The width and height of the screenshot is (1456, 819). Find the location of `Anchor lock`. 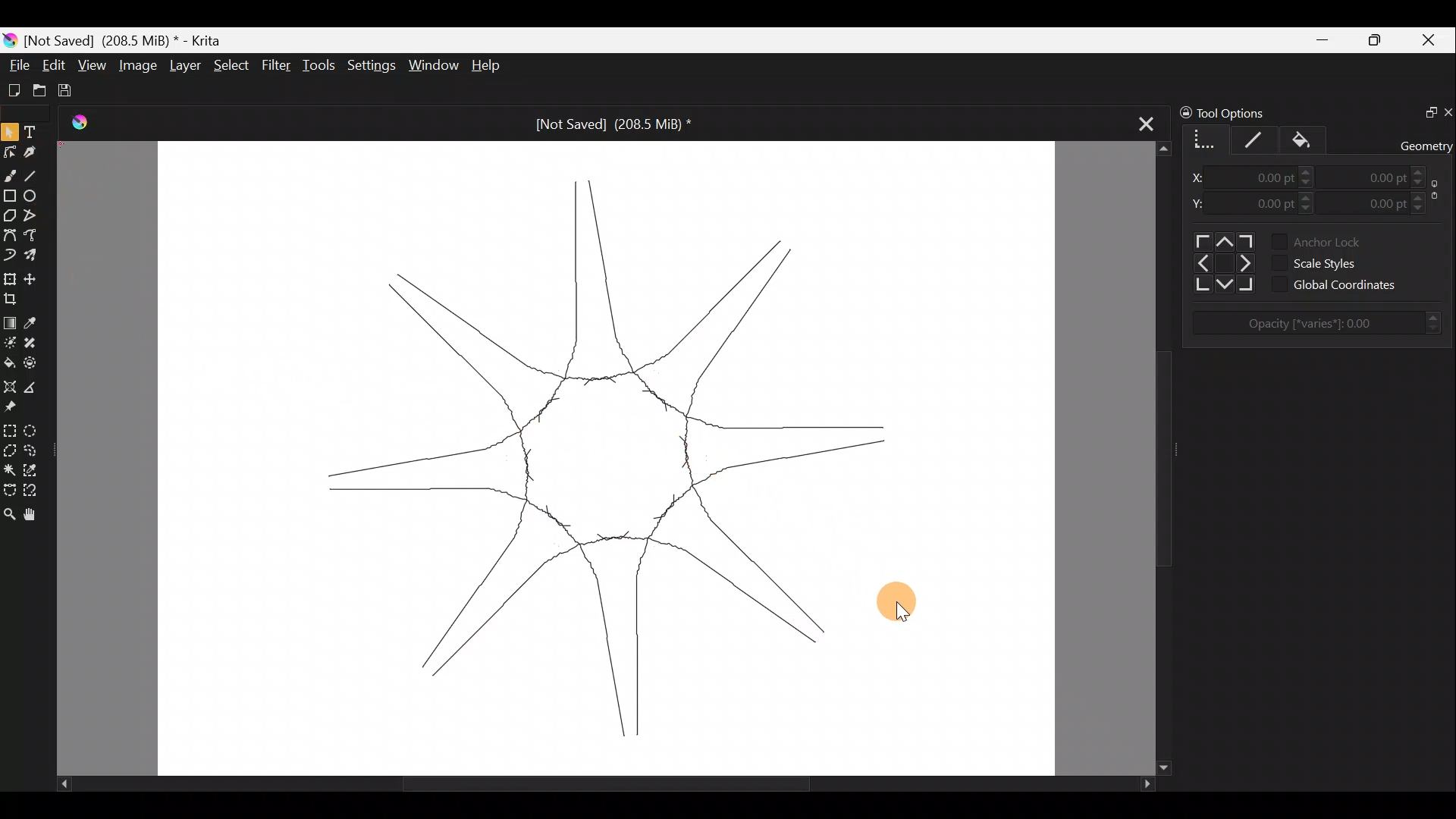

Anchor lock is located at coordinates (1339, 240).